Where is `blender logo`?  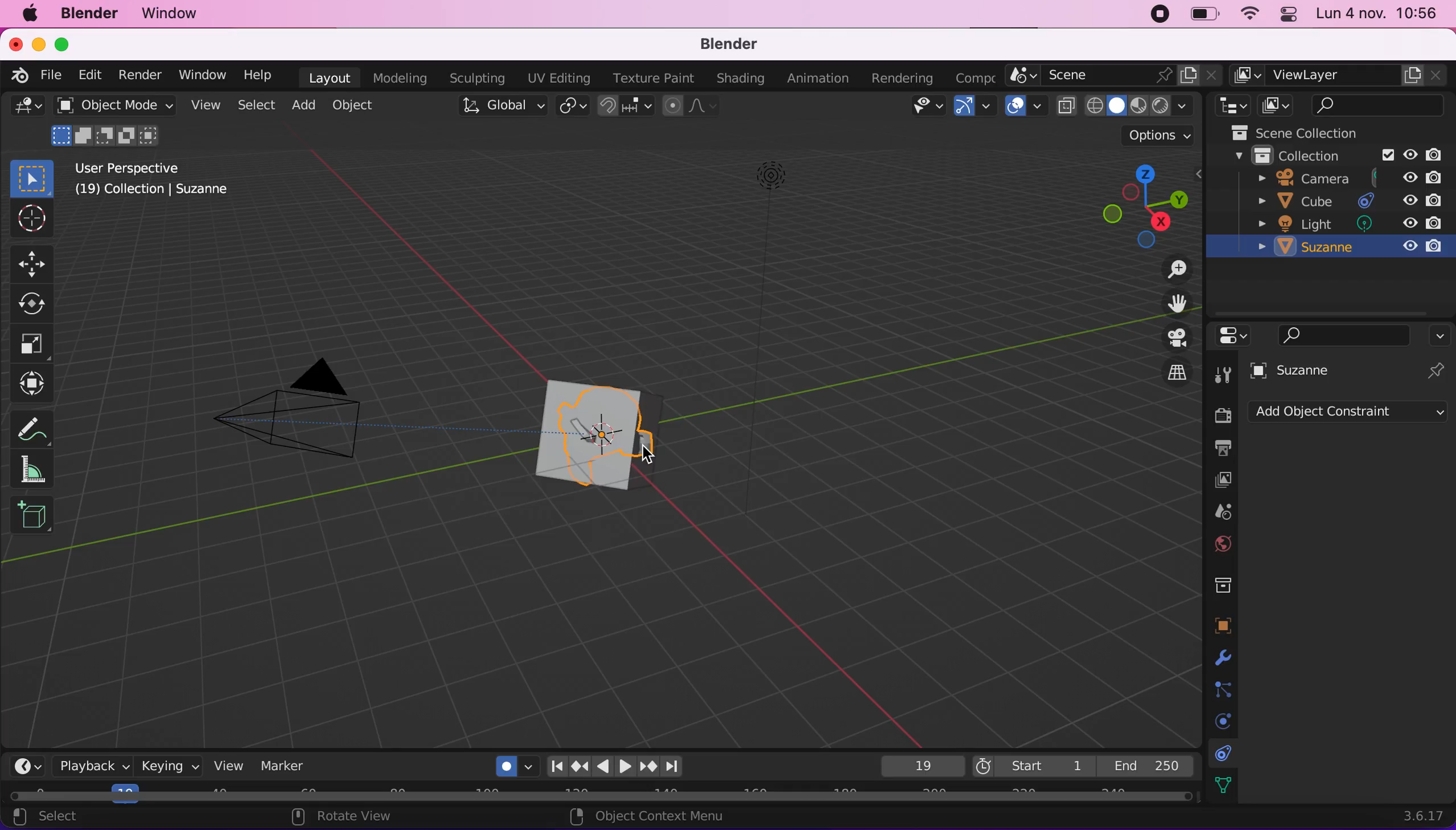
blender logo is located at coordinates (22, 75).